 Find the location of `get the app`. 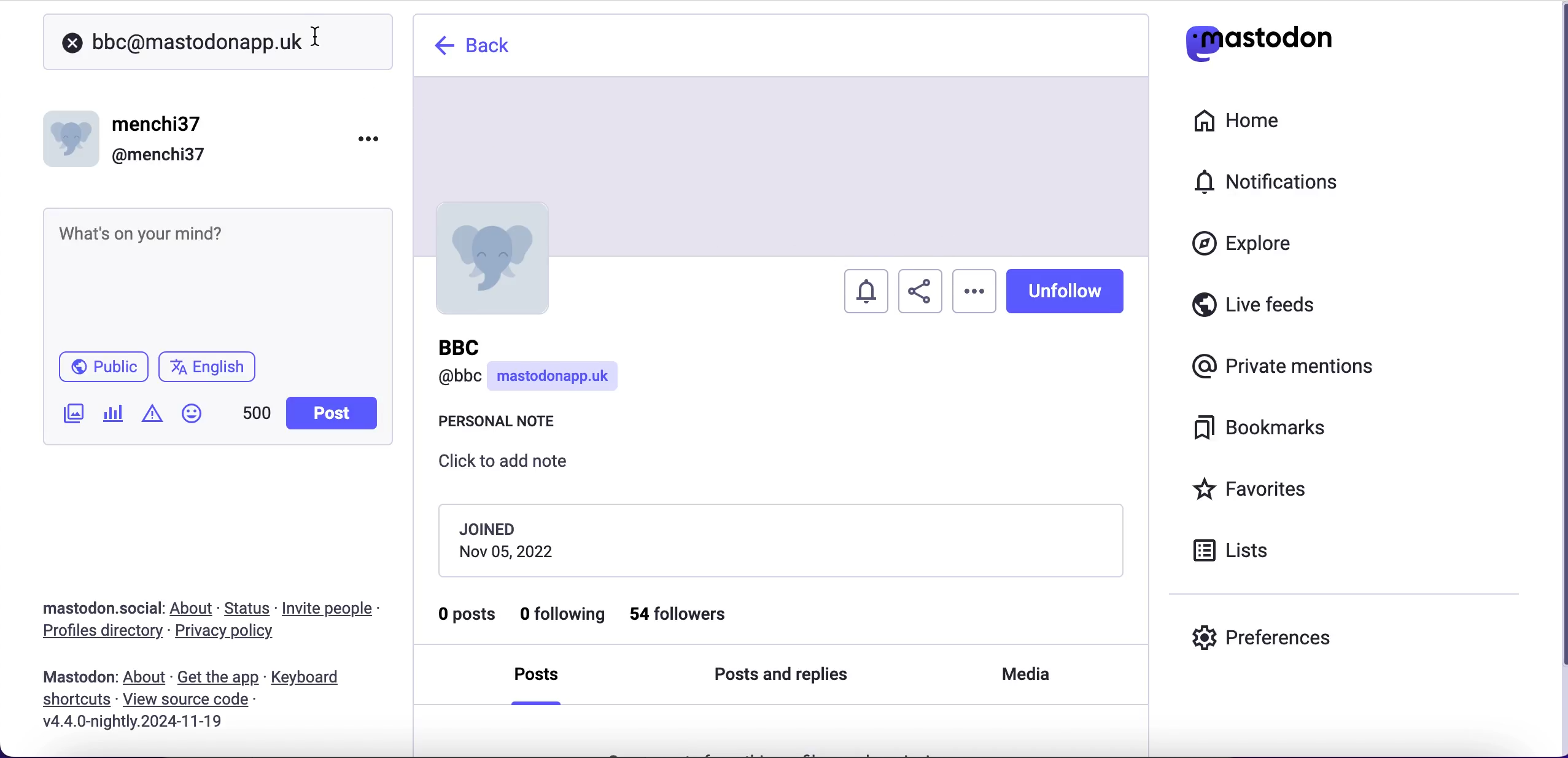

get the app is located at coordinates (217, 677).